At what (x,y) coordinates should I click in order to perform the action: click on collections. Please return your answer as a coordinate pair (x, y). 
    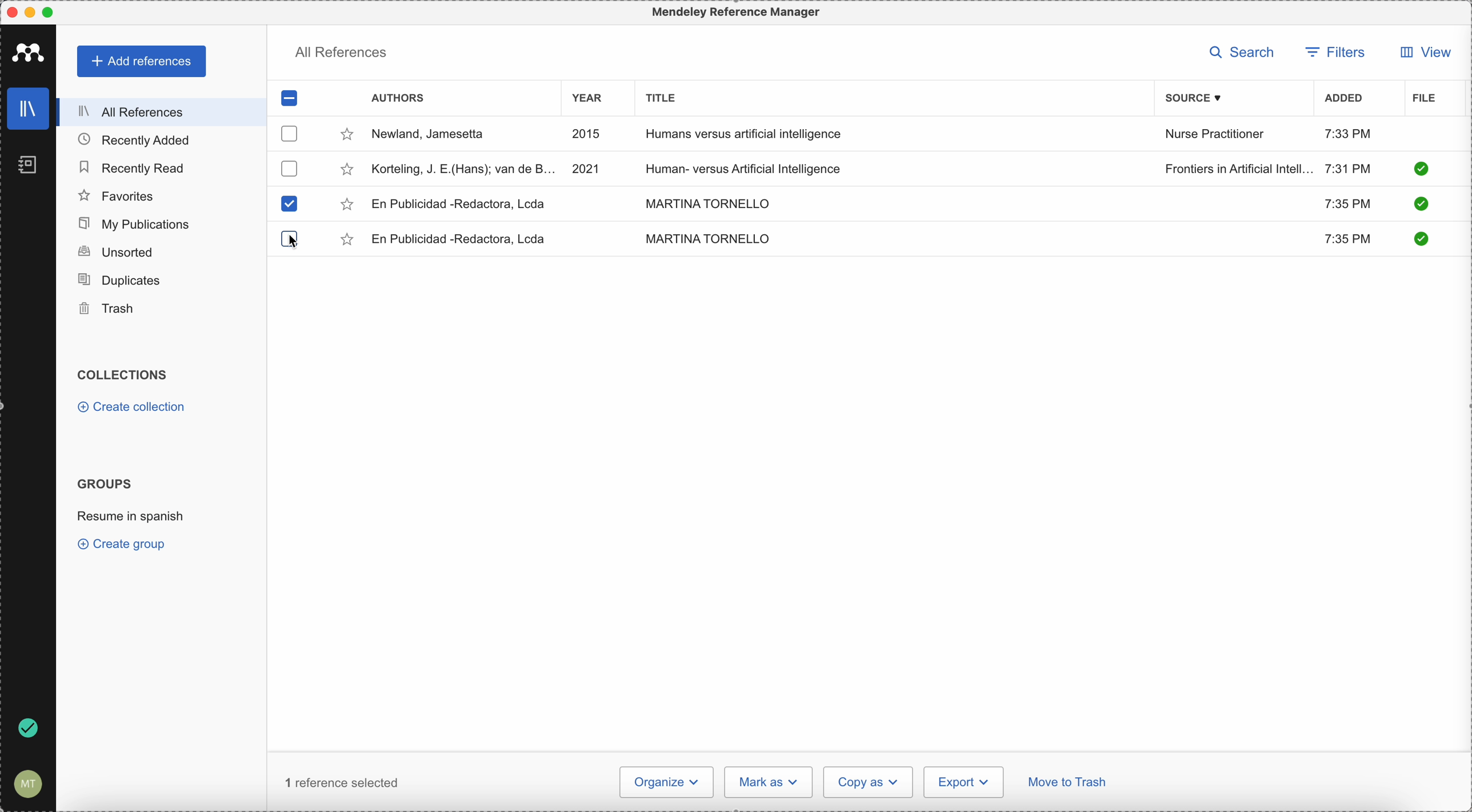
    Looking at the image, I should click on (125, 375).